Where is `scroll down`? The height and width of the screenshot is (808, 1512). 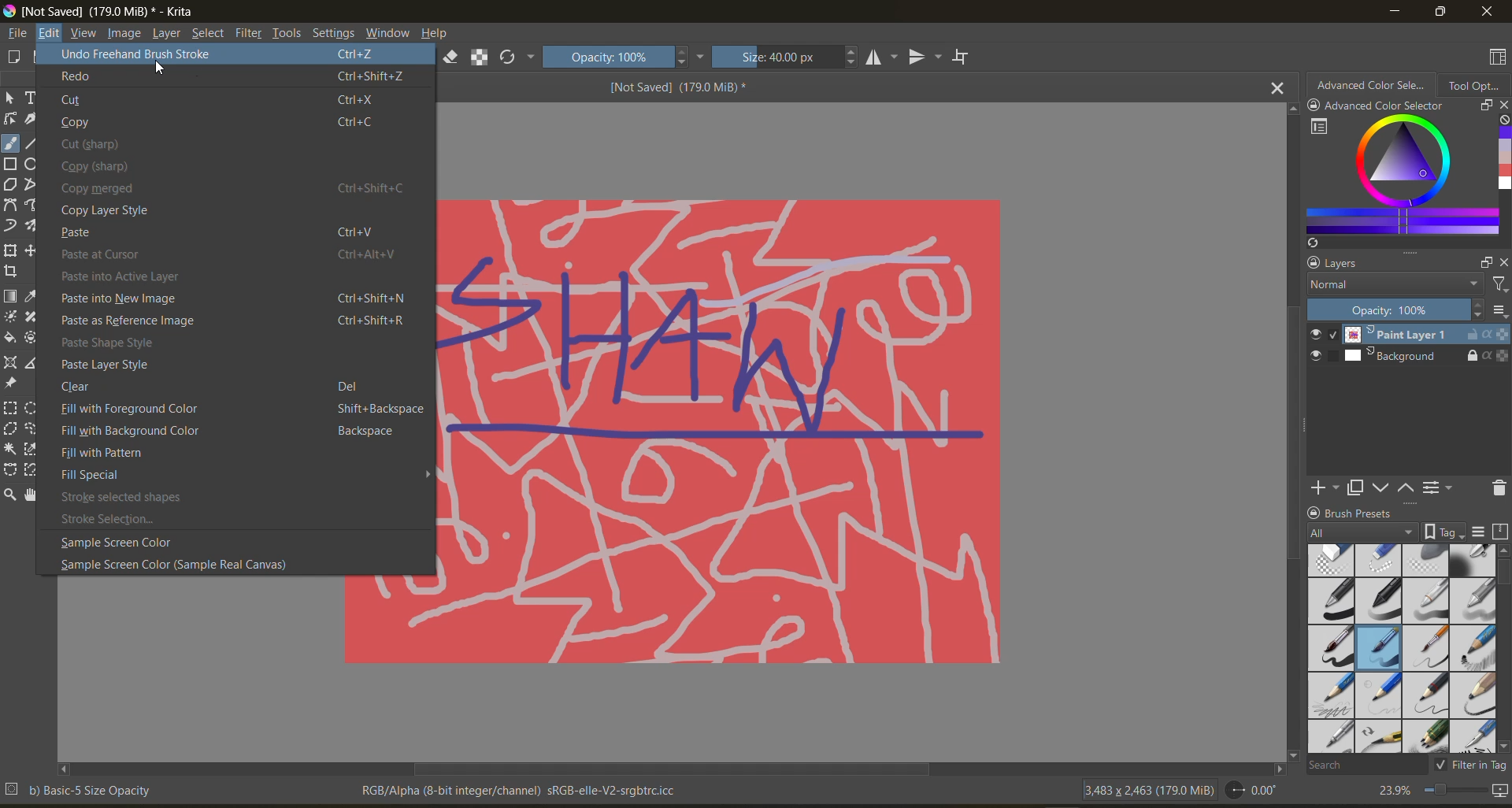
scroll down is located at coordinates (1503, 748).